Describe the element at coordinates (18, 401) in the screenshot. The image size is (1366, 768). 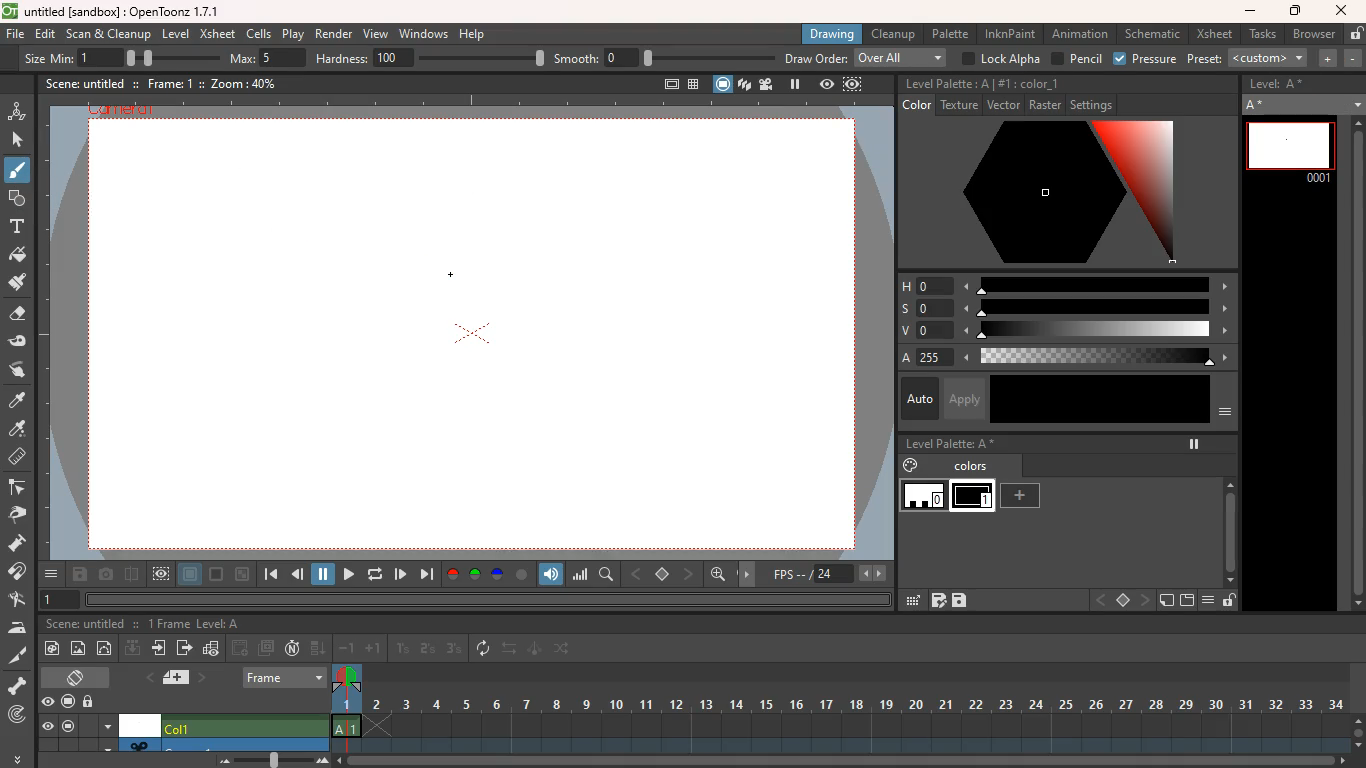
I see `paint` at that location.